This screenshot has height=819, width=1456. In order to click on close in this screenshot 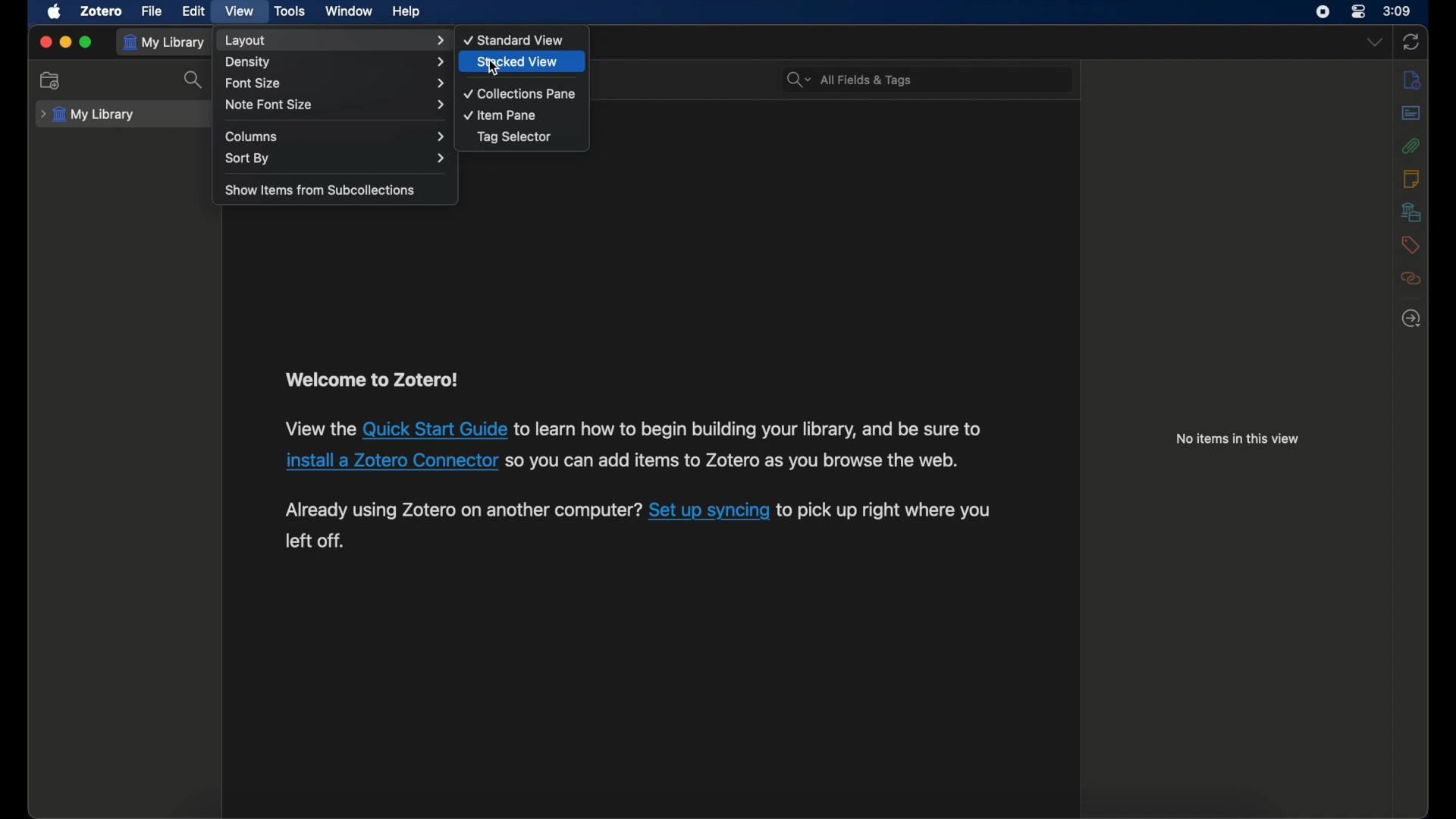, I will do `click(45, 42)`.